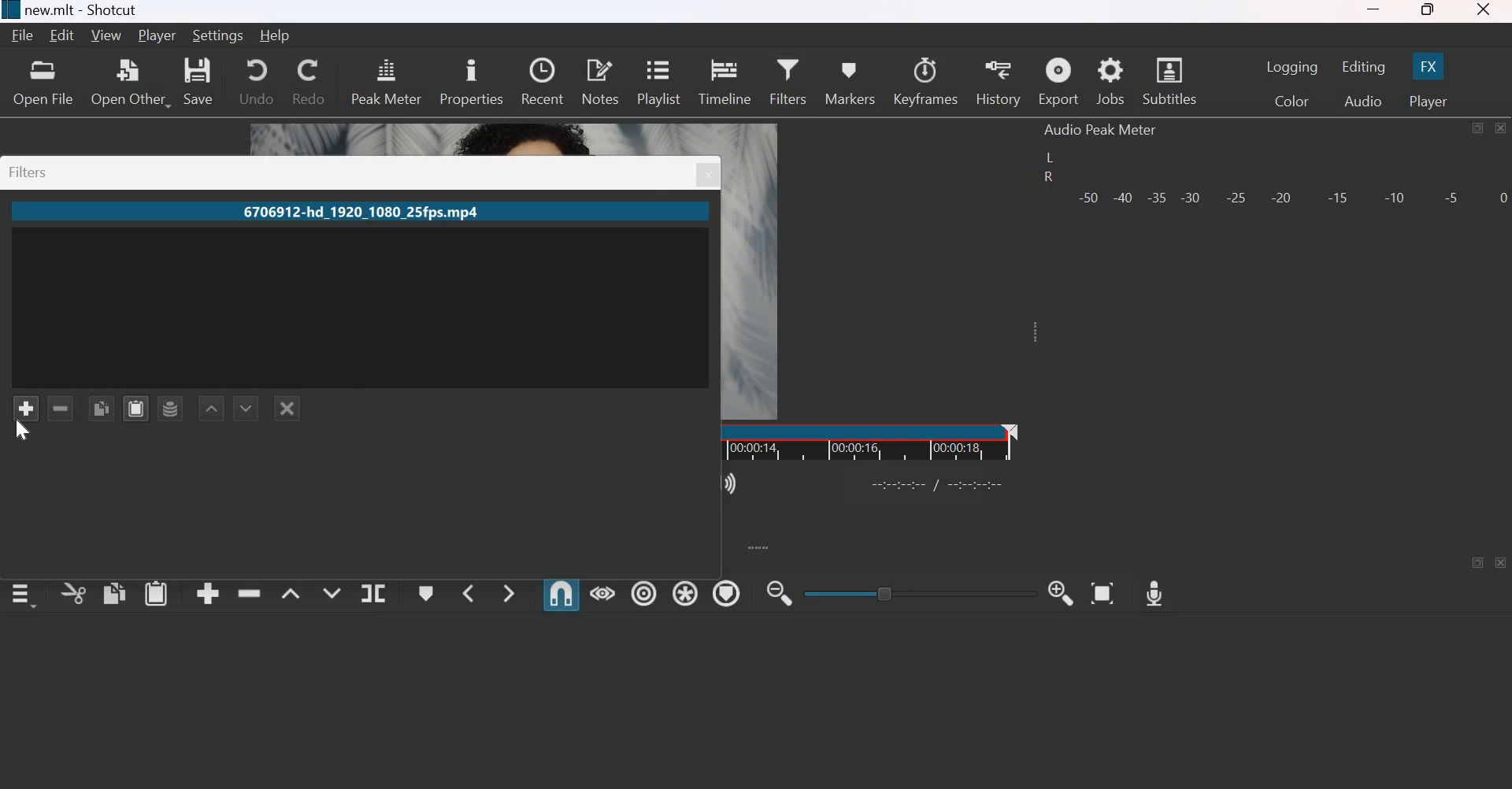  I want to click on Ripple all tracks, so click(682, 591).